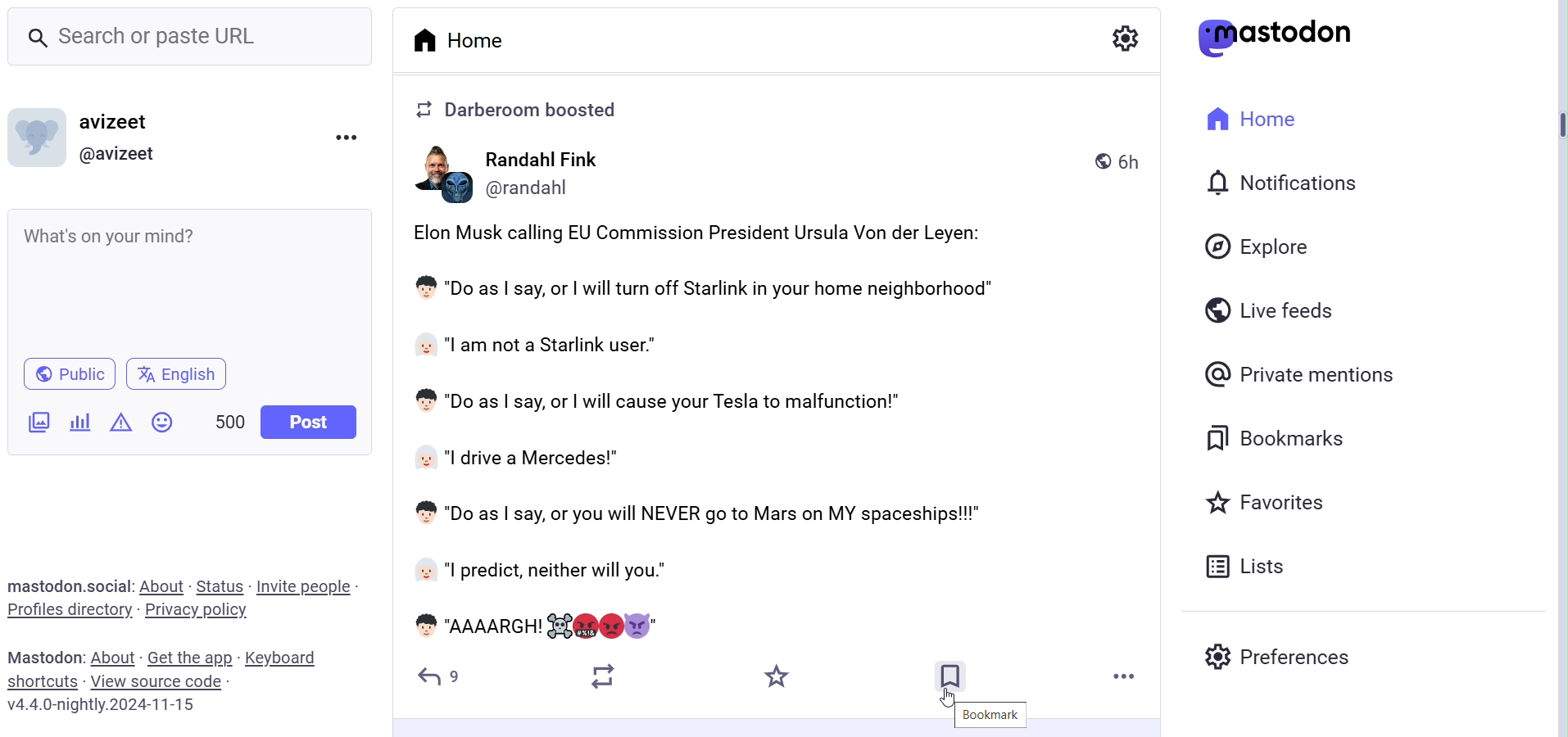 Image resolution: width=1568 pixels, height=737 pixels. What do you see at coordinates (116, 156) in the screenshot?
I see `@ Profile` at bounding box center [116, 156].